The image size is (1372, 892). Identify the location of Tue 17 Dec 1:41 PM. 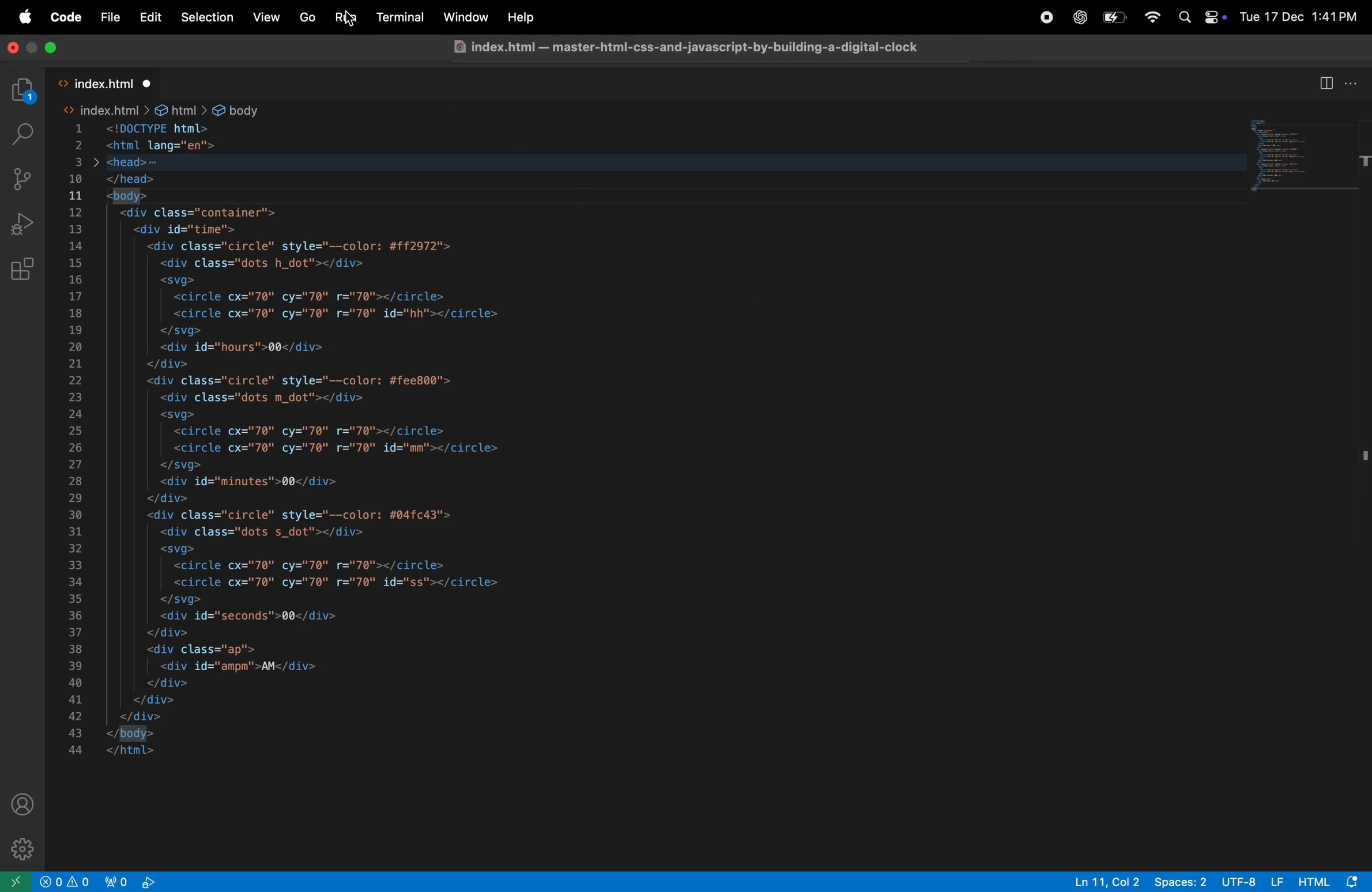
(1299, 17).